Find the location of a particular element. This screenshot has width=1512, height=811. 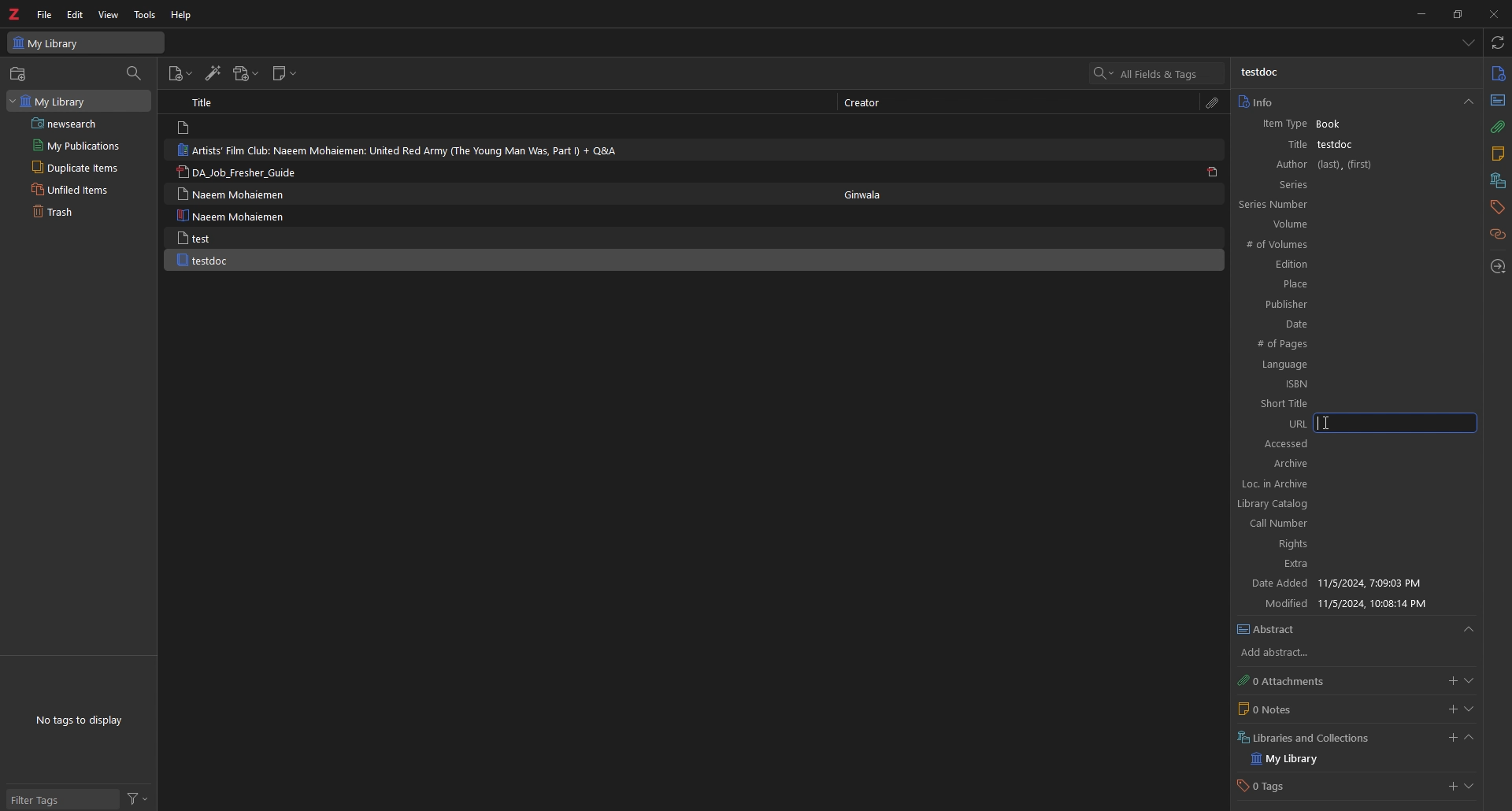

Series is located at coordinates (1325, 184).